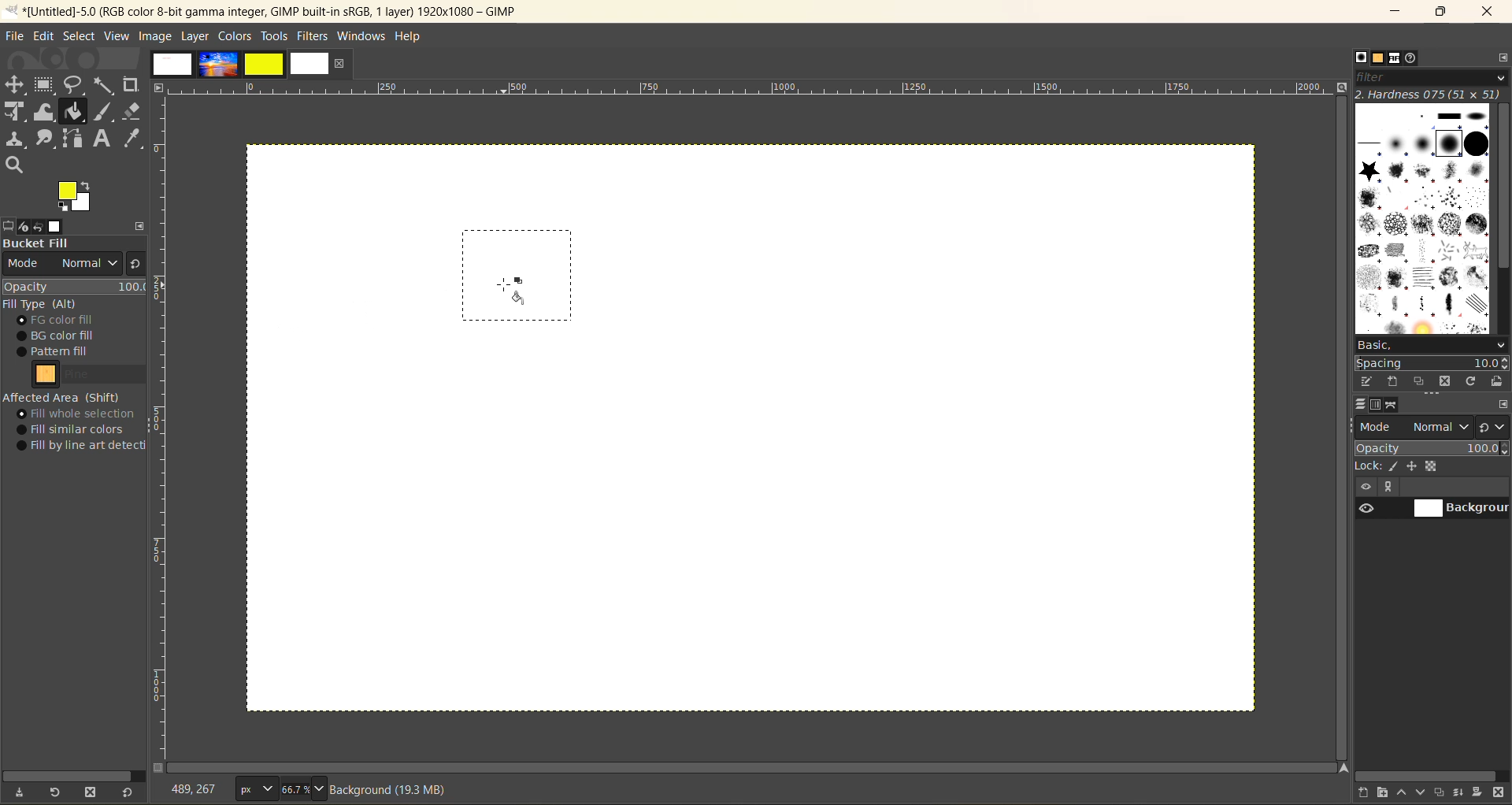 The height and width of the screenshot is (805, 1512). Describe the element at coordinates (1499, 794) in the screenshot. I see `delete this layer` at that location.